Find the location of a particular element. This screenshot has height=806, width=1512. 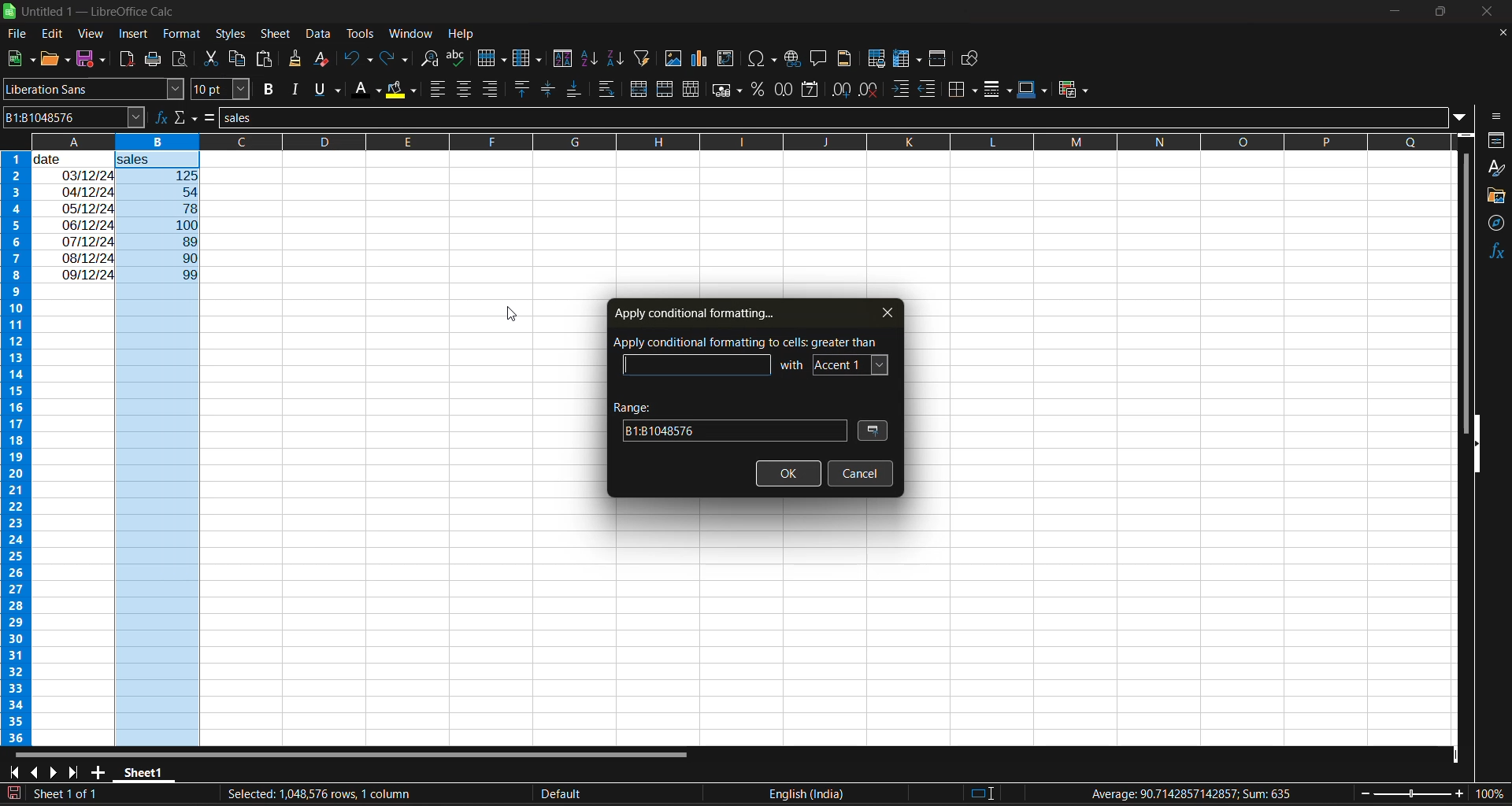

apply conditional formatting is located at coordinates (693, 311).